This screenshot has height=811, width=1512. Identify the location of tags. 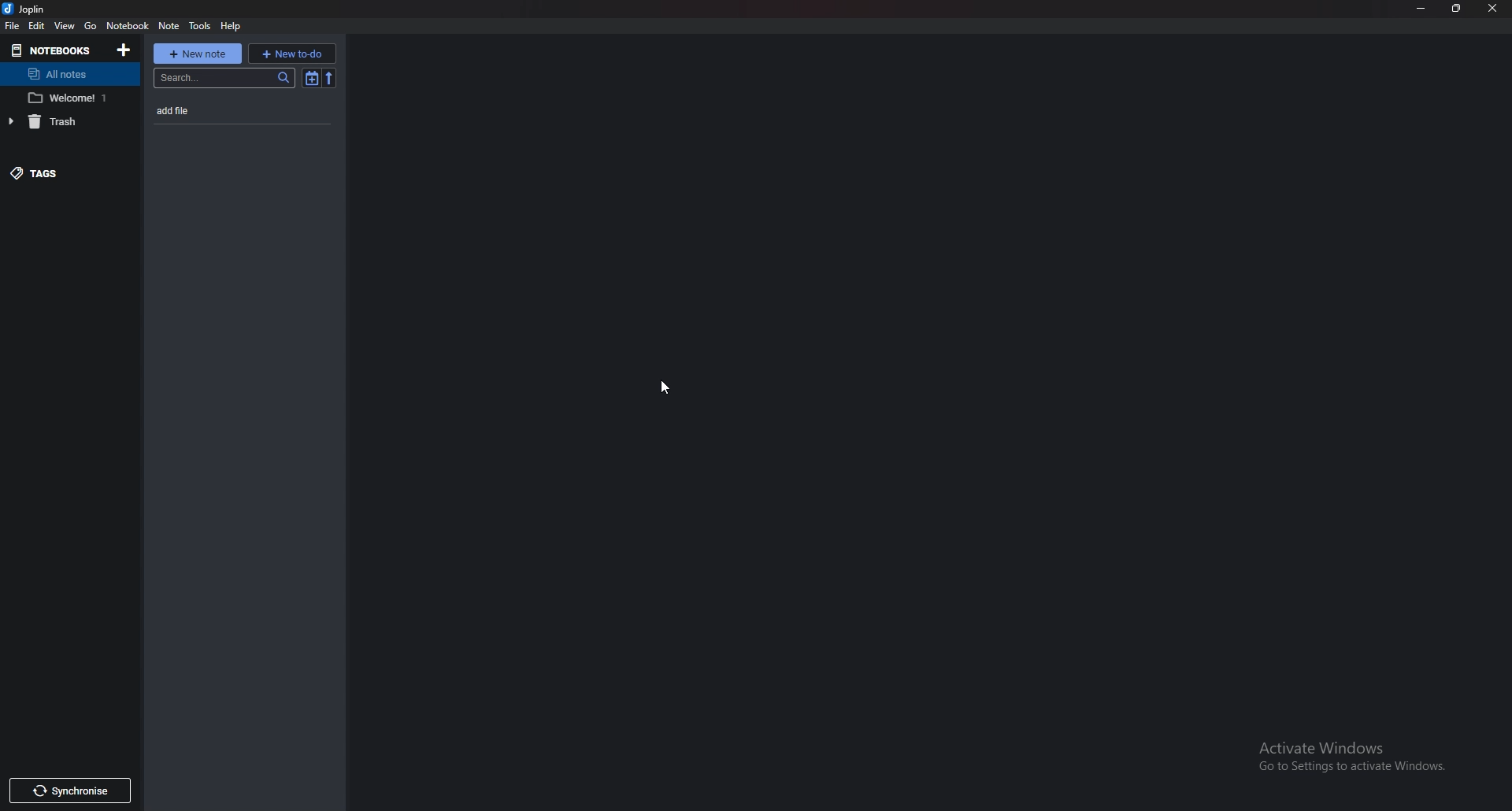
(61, 172).